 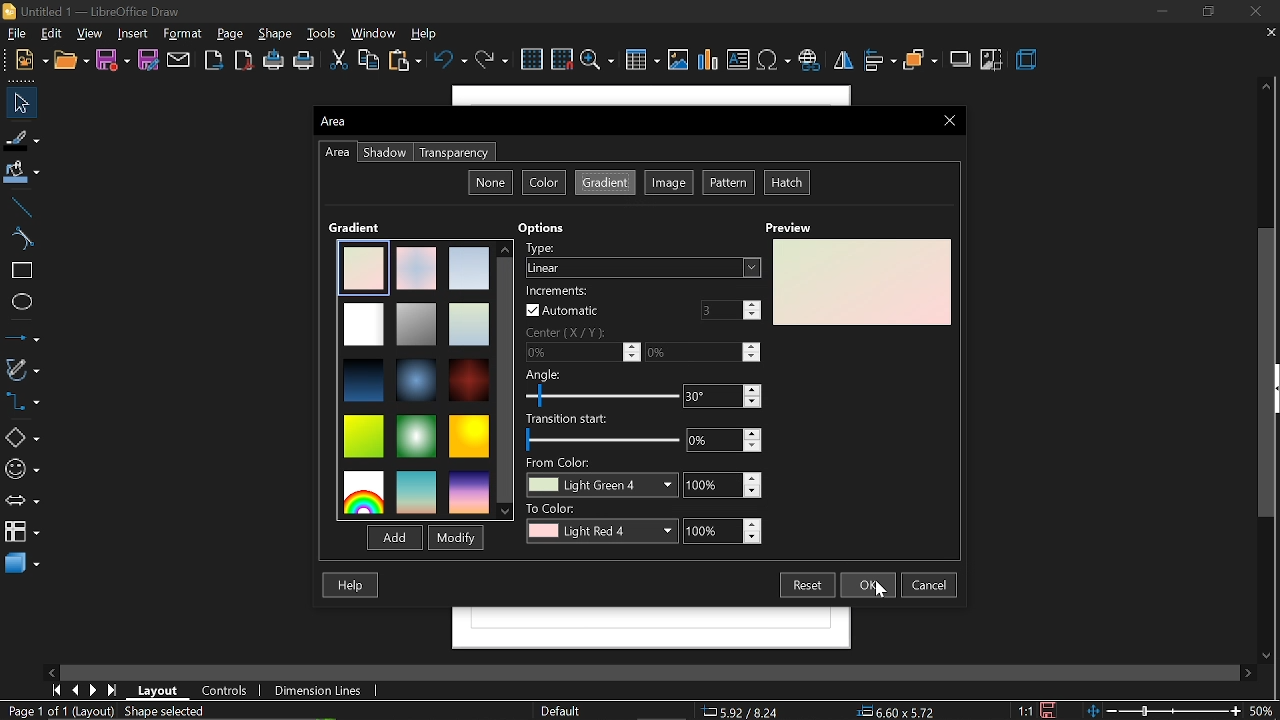 I want to click on redo, so click(x=493, y=61).